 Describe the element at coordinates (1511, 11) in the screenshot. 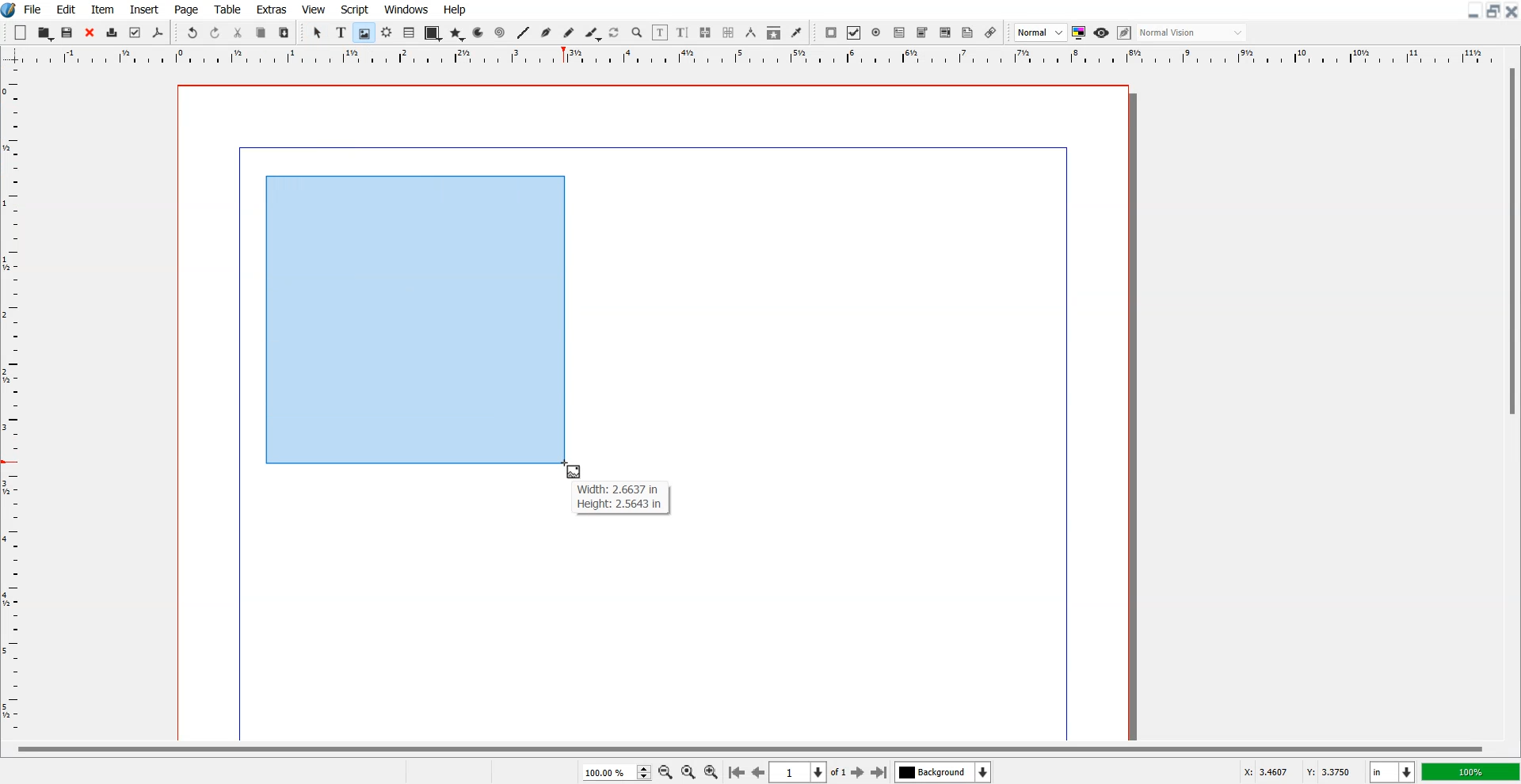

I see `Close` at that location.